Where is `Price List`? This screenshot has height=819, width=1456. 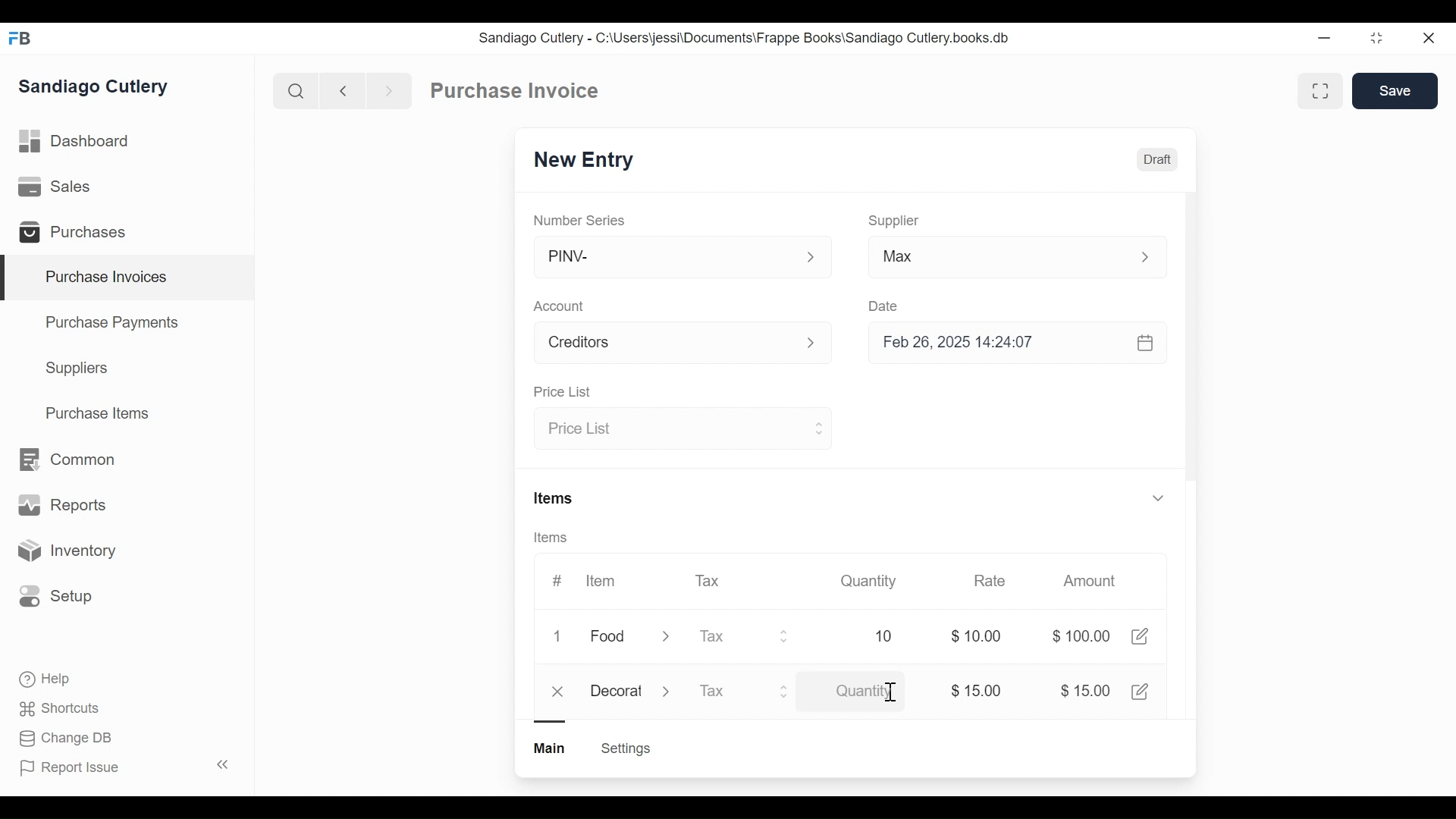 Price List is located at coordinates (561, 393).